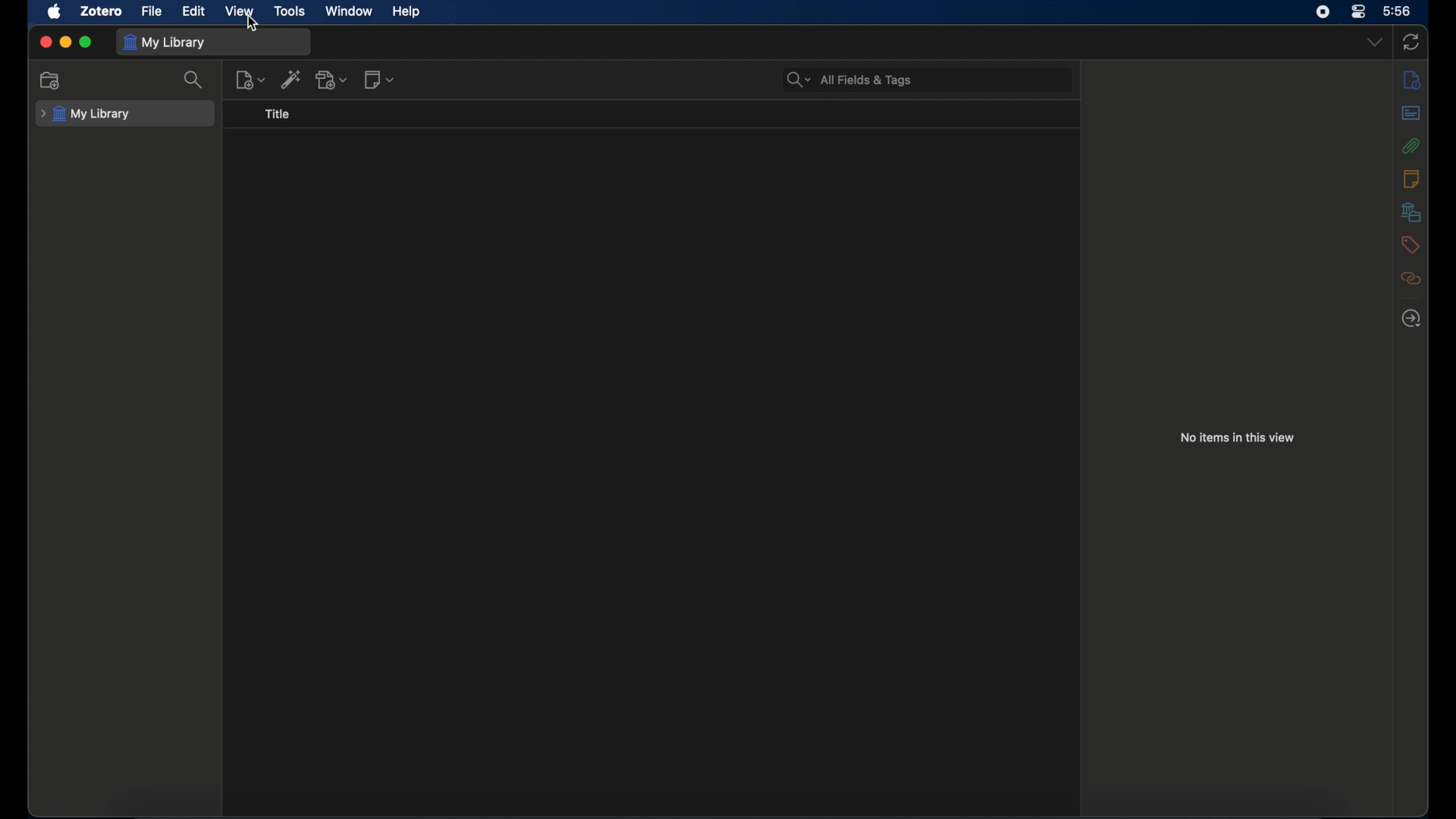  I want to click on search, so click(196, 80).